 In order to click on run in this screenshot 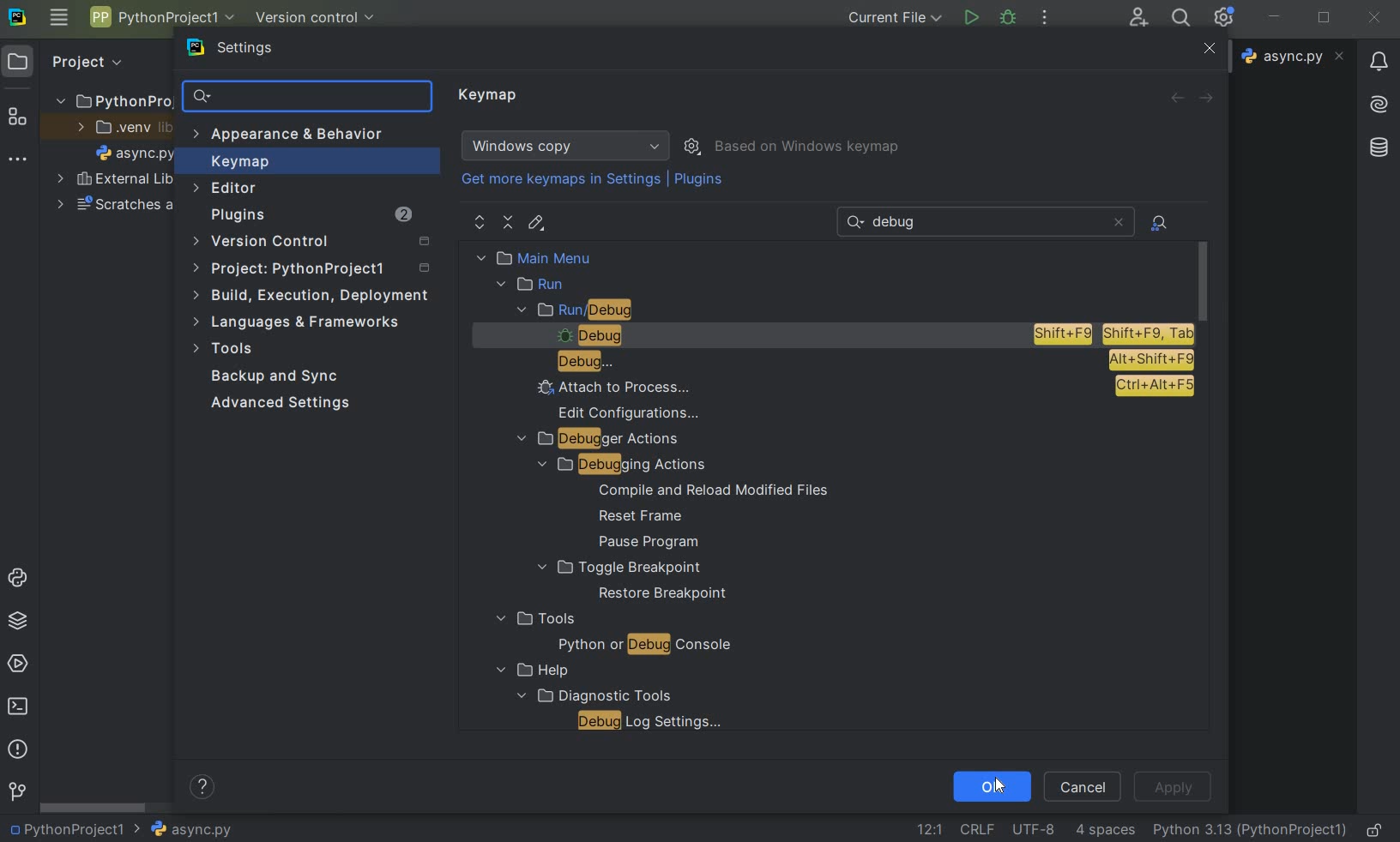, I will do `click(970, 18)`.